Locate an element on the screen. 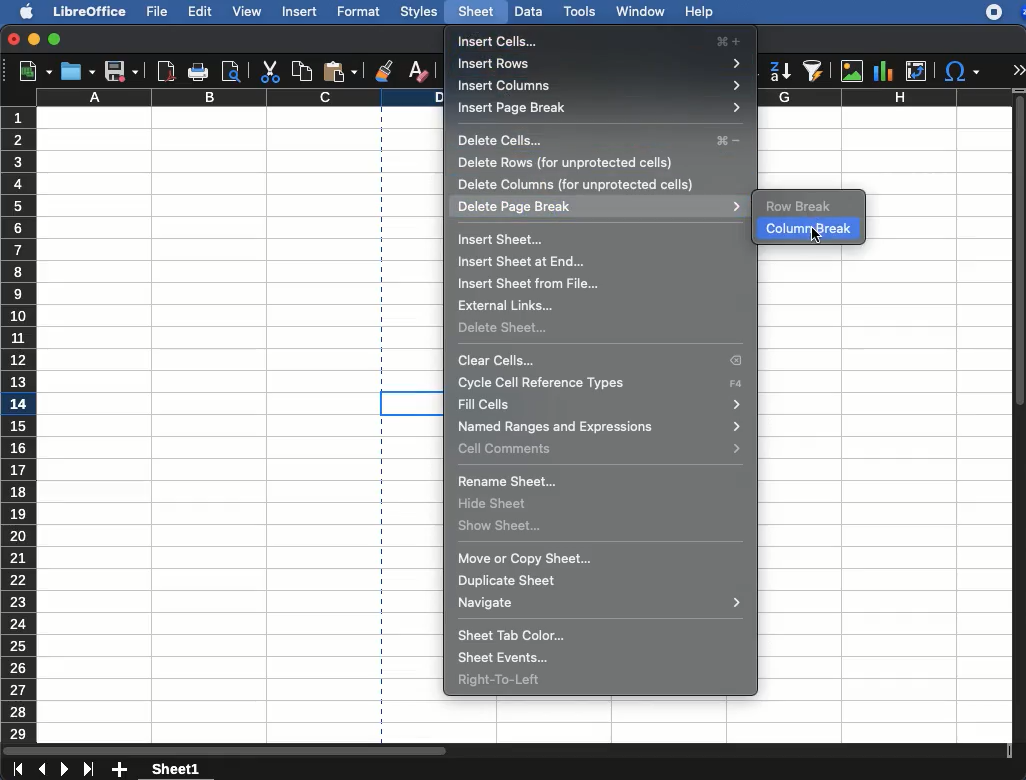 The height and width of the screenshot is (780, 1026). maximize is located at coordinates (54, 39).